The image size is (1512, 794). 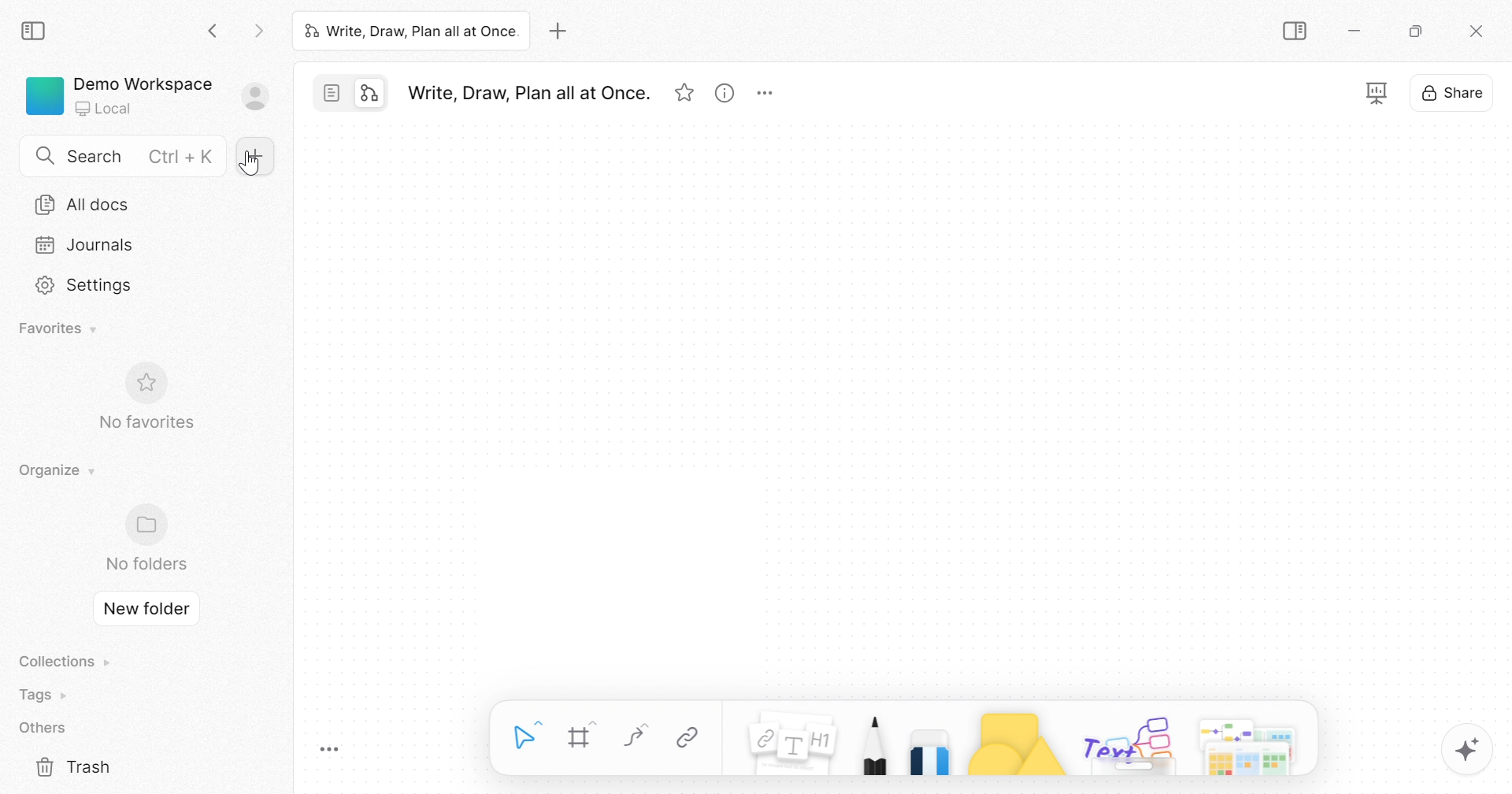 I want to click on Demo Workspace, so click(x=144, y=83).